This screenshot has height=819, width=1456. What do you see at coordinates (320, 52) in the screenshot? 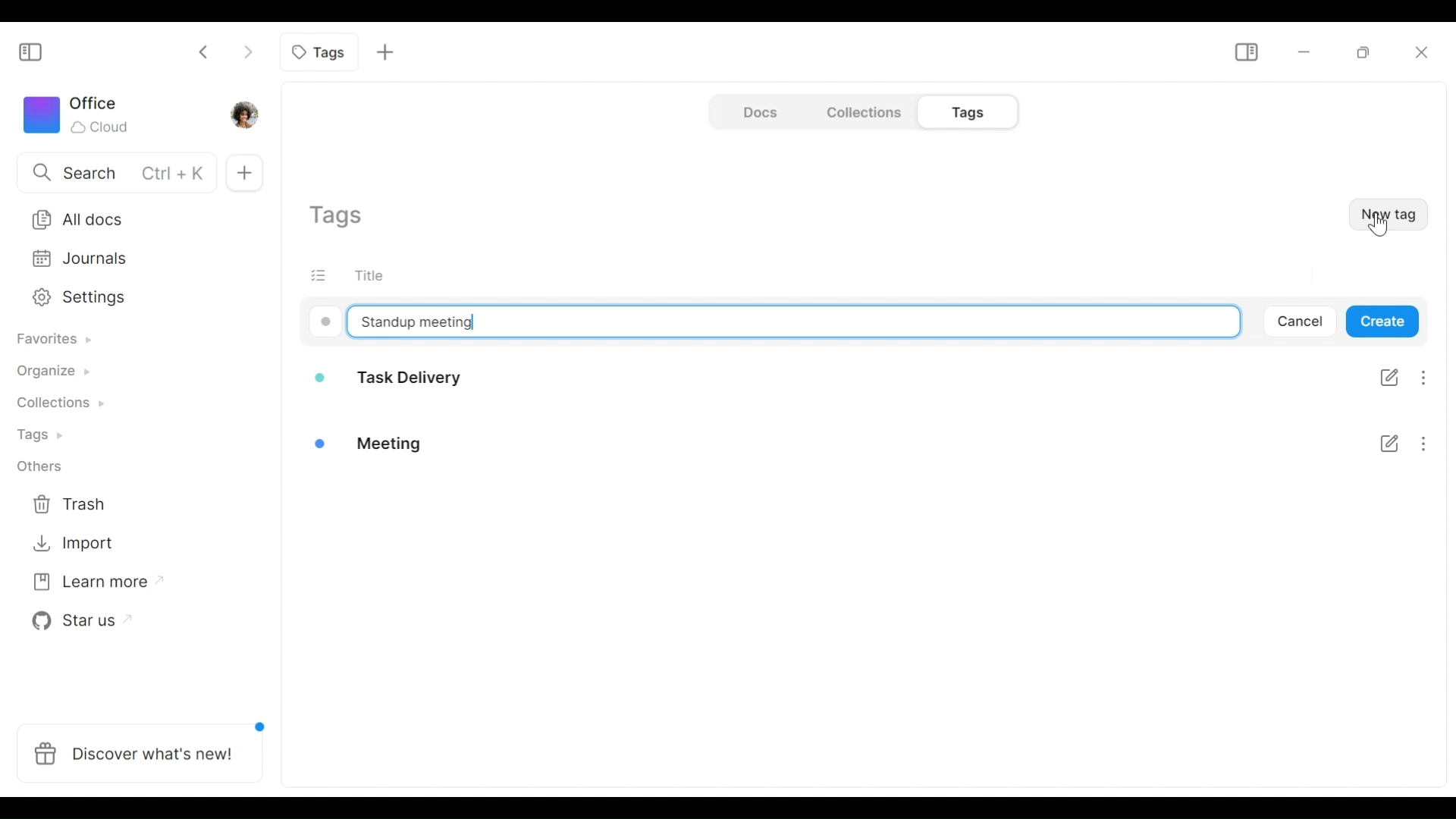
I see `Current tab` at bounding box center [320, 52].